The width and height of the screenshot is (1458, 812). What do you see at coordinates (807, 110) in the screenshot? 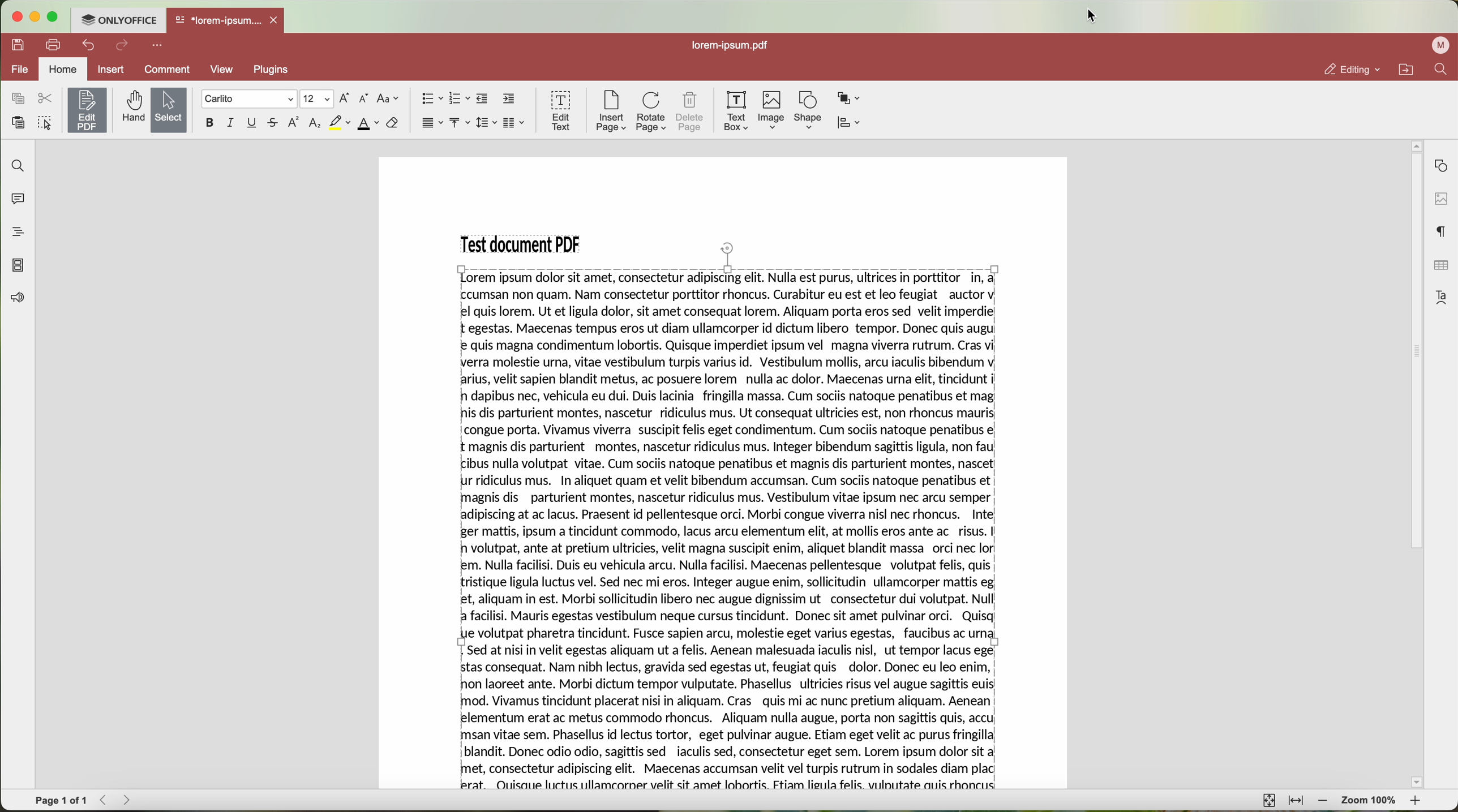
I see `shape` at bounding box center [807, 110].